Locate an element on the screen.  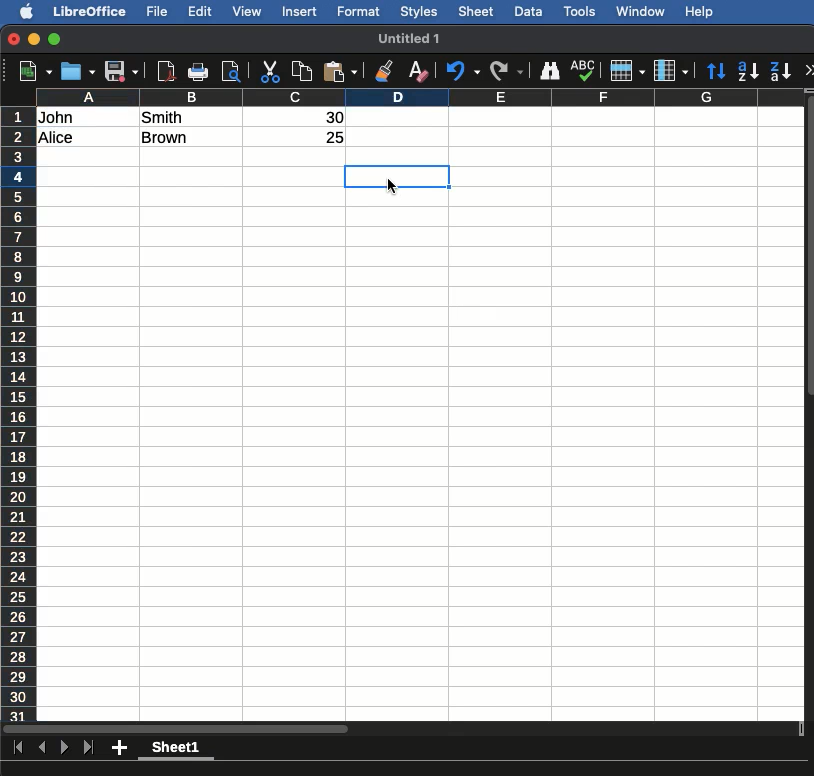
Help is located at coordinates (701, 11).